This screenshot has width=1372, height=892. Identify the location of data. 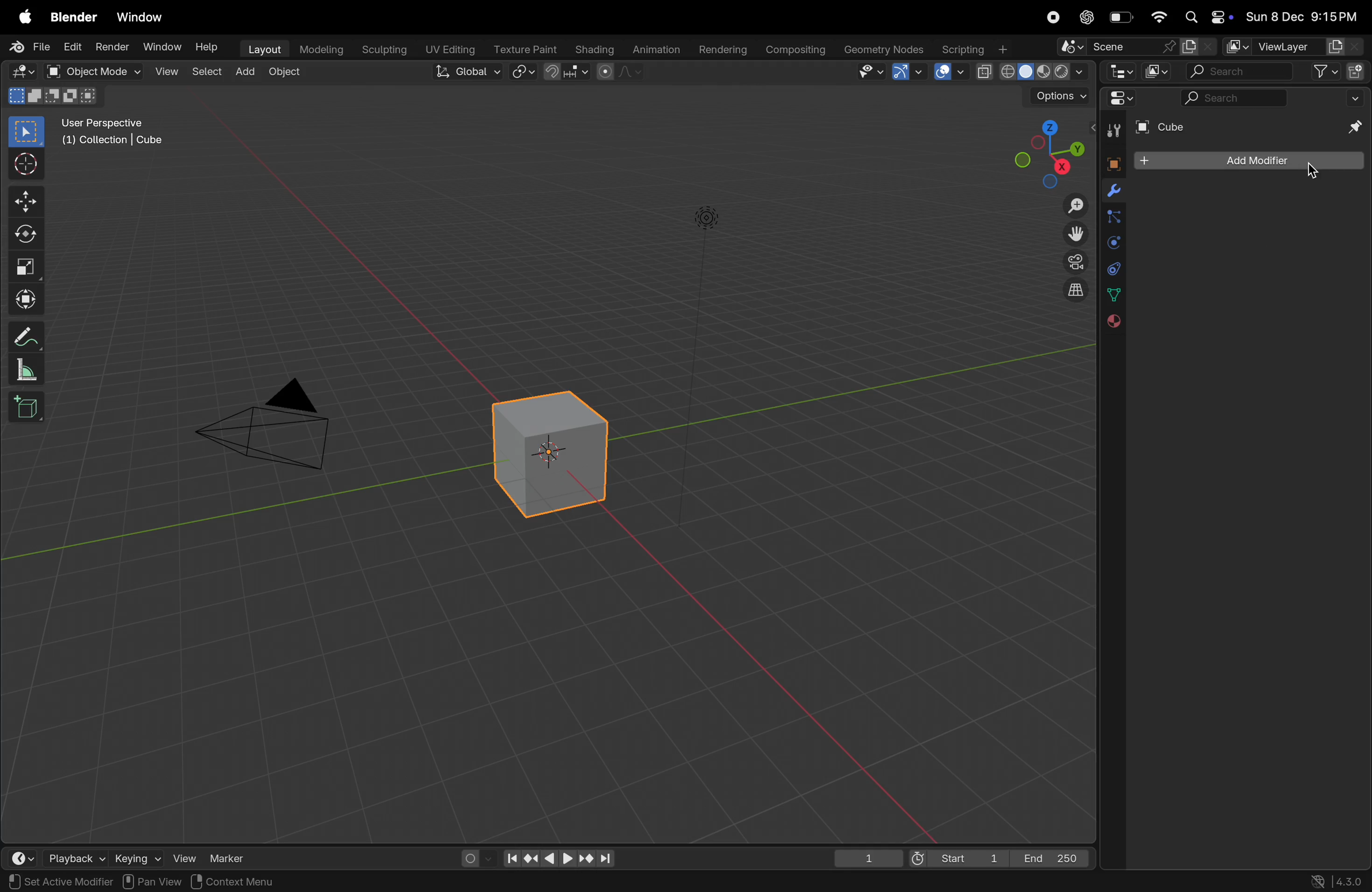
(1113, 294).